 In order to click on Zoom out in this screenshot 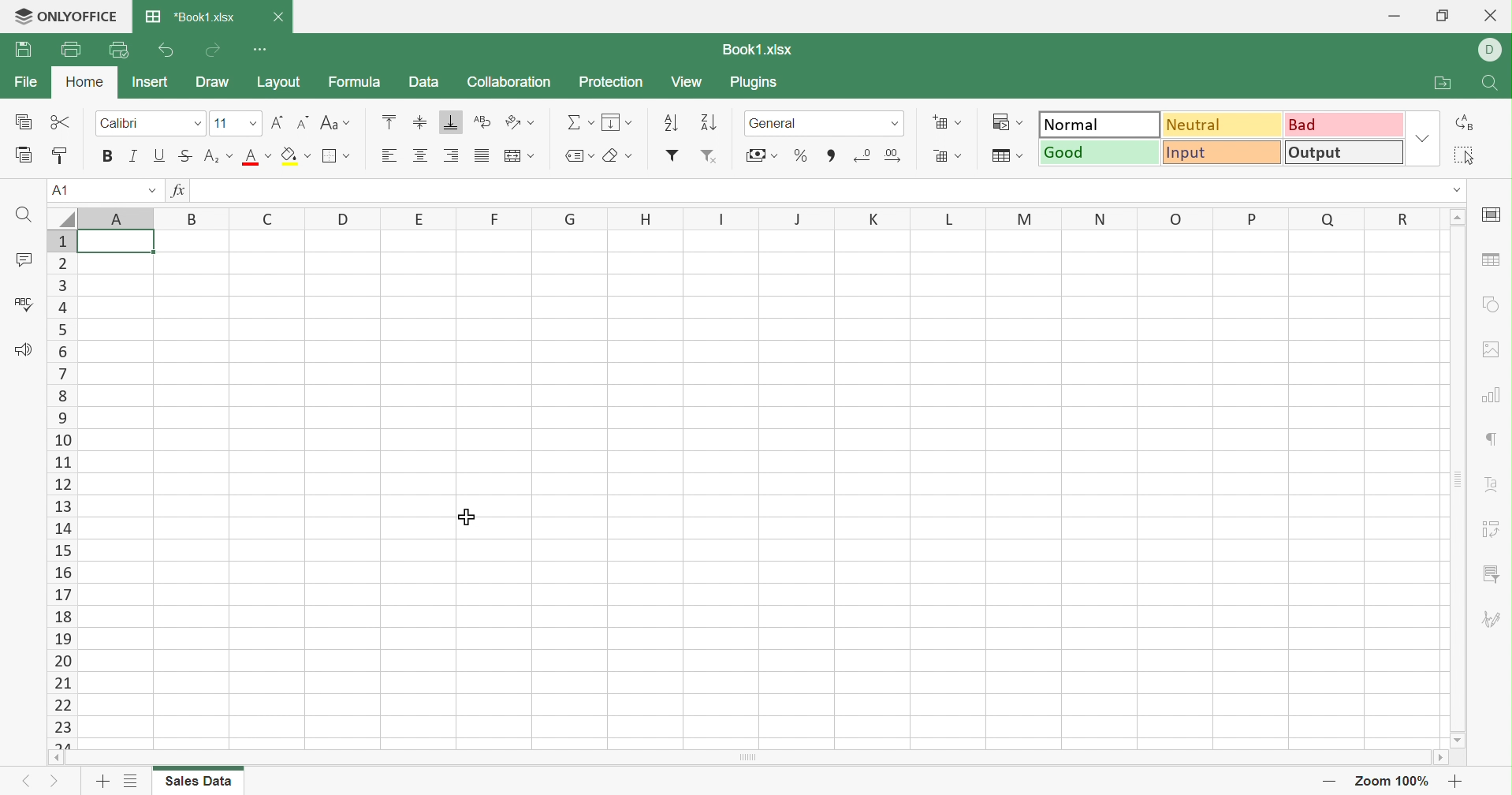, I will do `click(1329, 780)`.